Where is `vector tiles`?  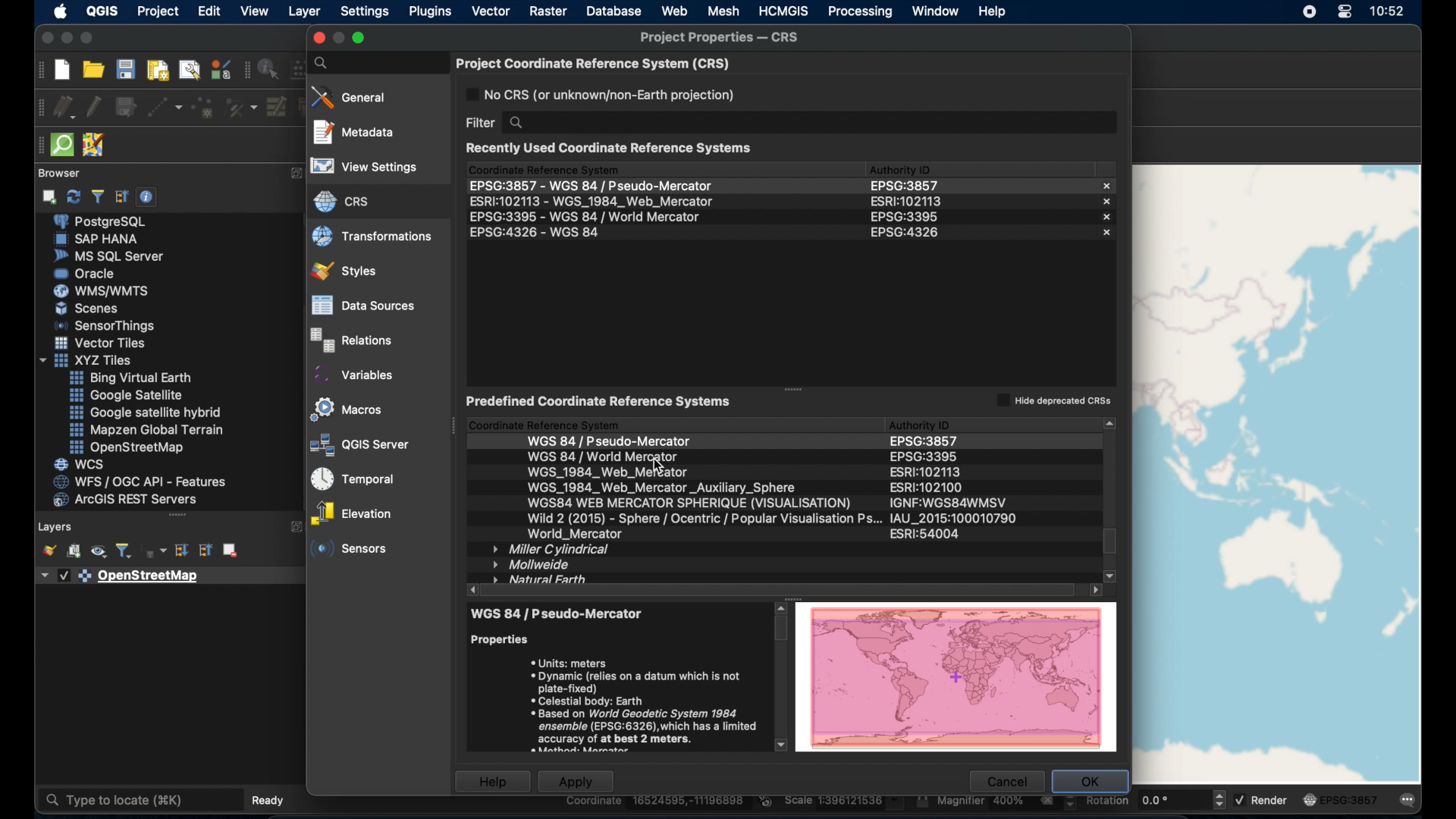
vector tiles is located at coordinates (101, 344).